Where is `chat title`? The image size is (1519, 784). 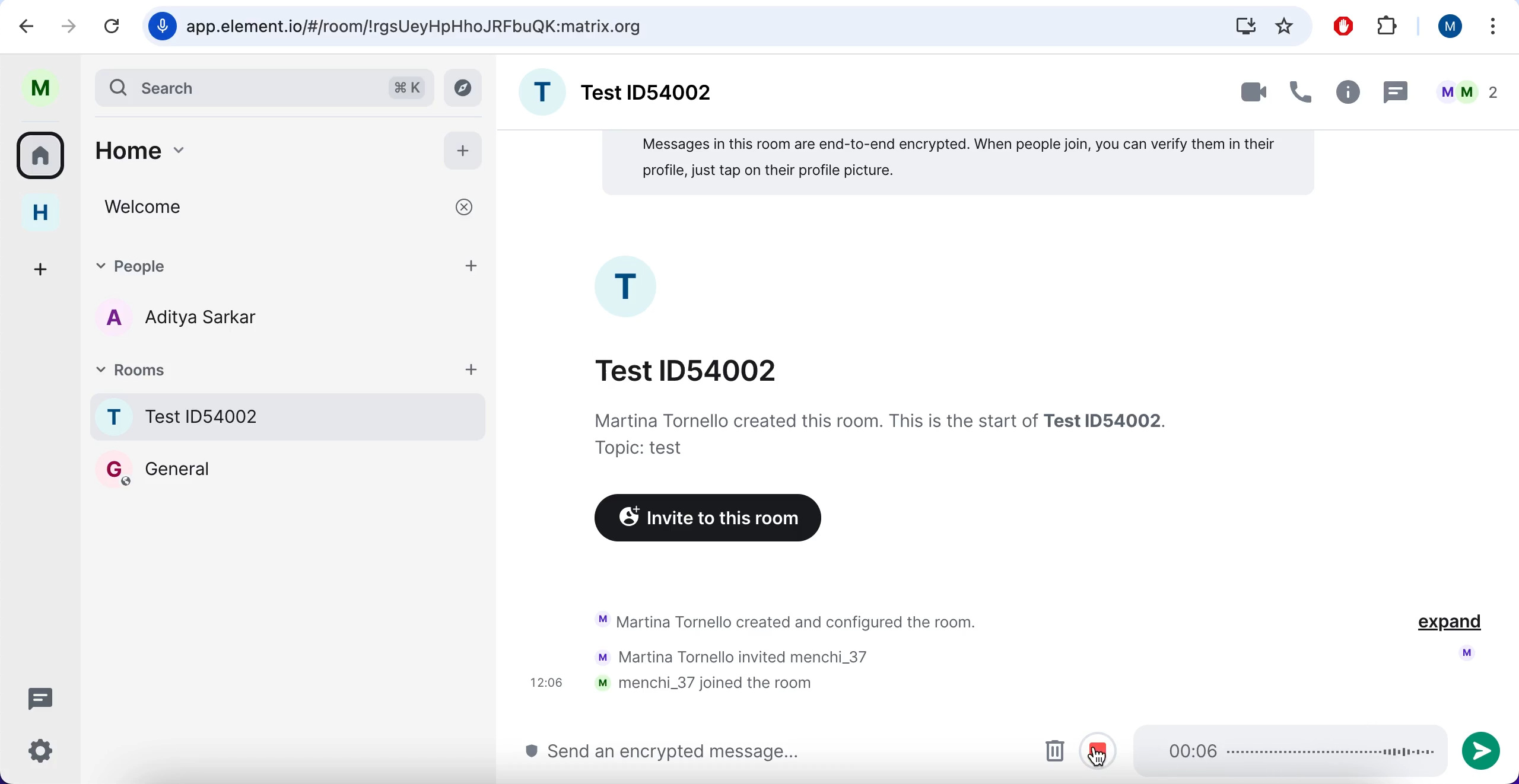 chat title is located at coordinates (688, 369).